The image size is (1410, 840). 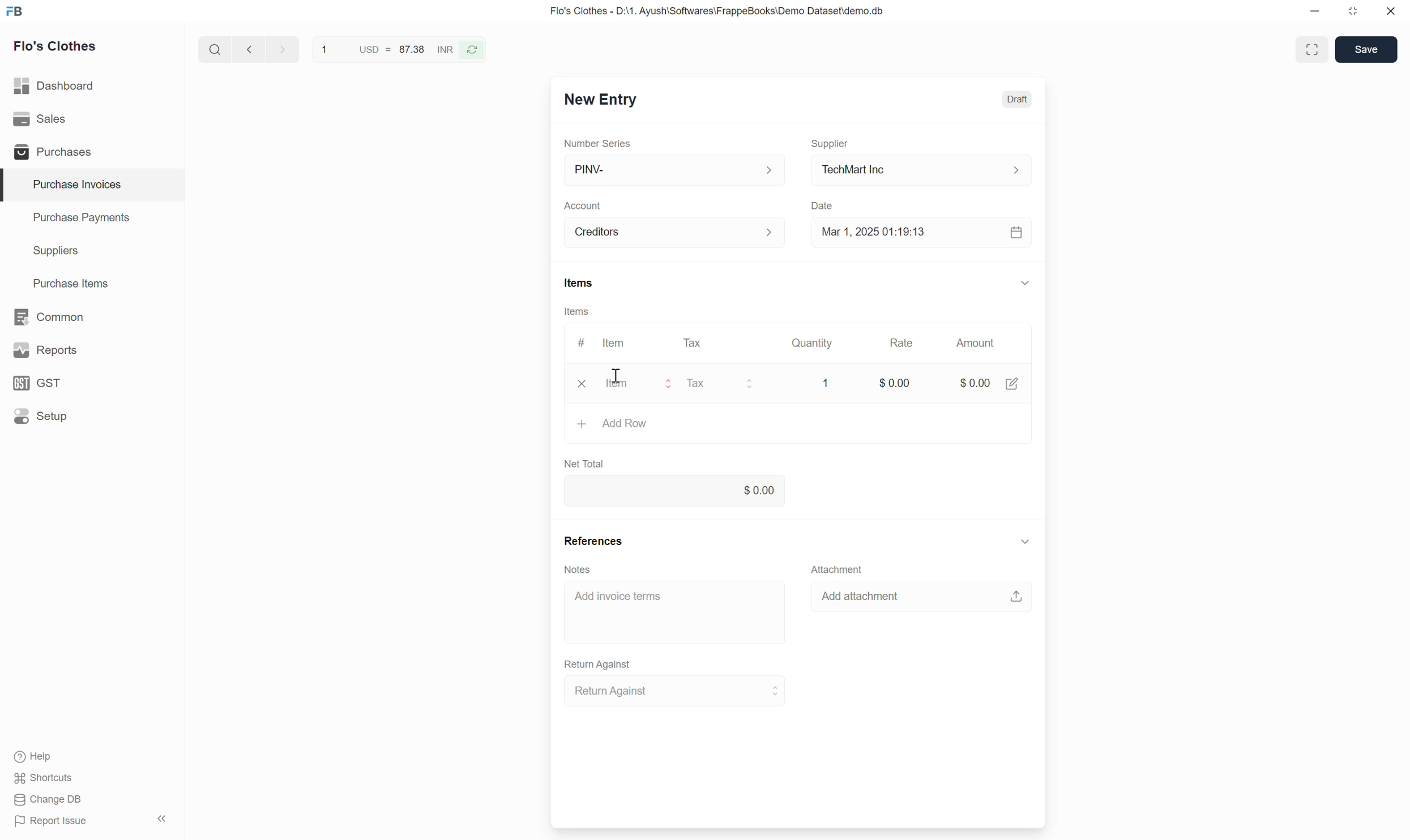 I want to click on expand, so click(x=1026, y=543).